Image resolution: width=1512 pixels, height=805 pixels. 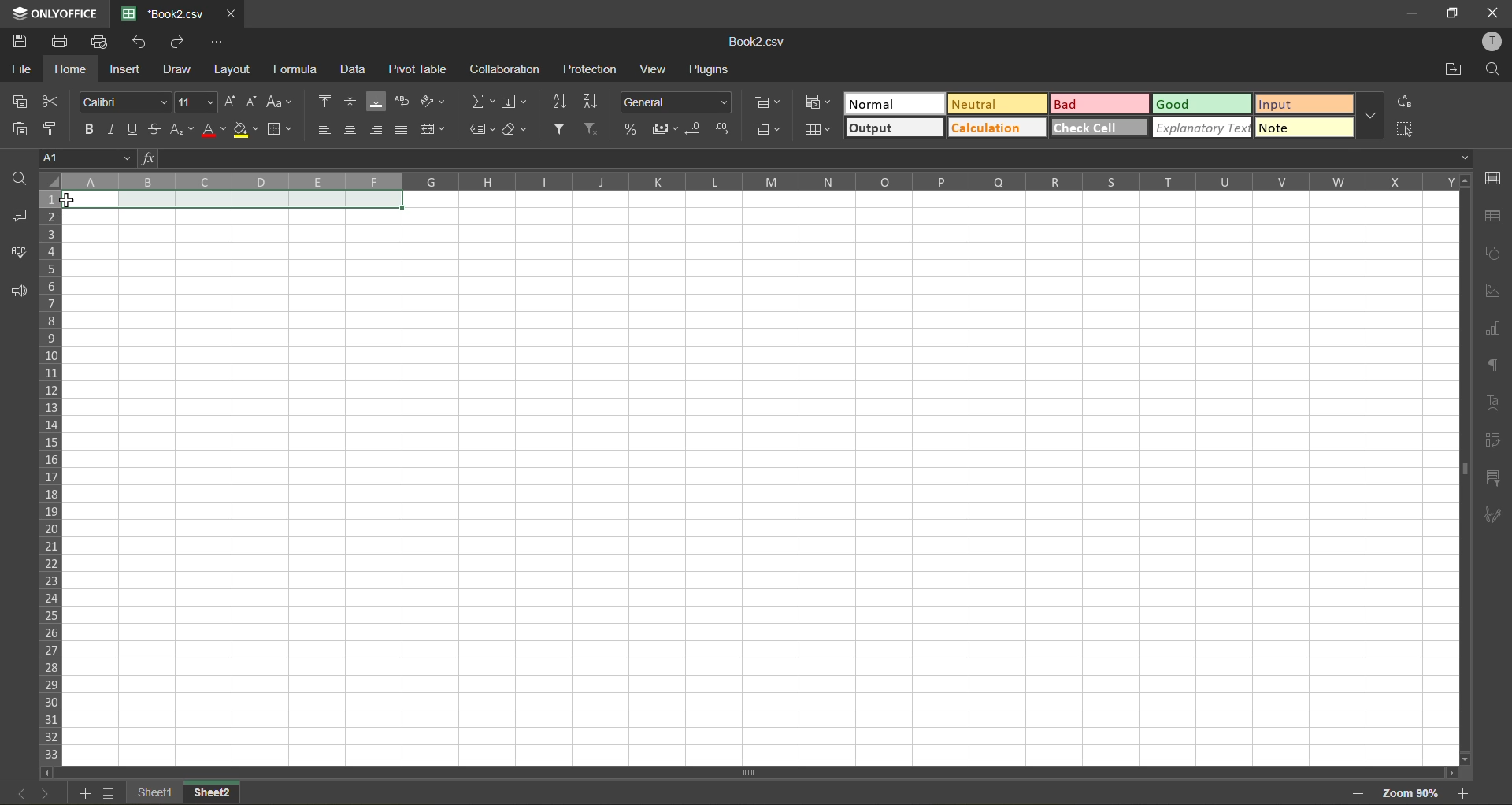 What do you see at coordinates (653, 70) in the screenshot?
I see `view` at bounding box center [653, 70].